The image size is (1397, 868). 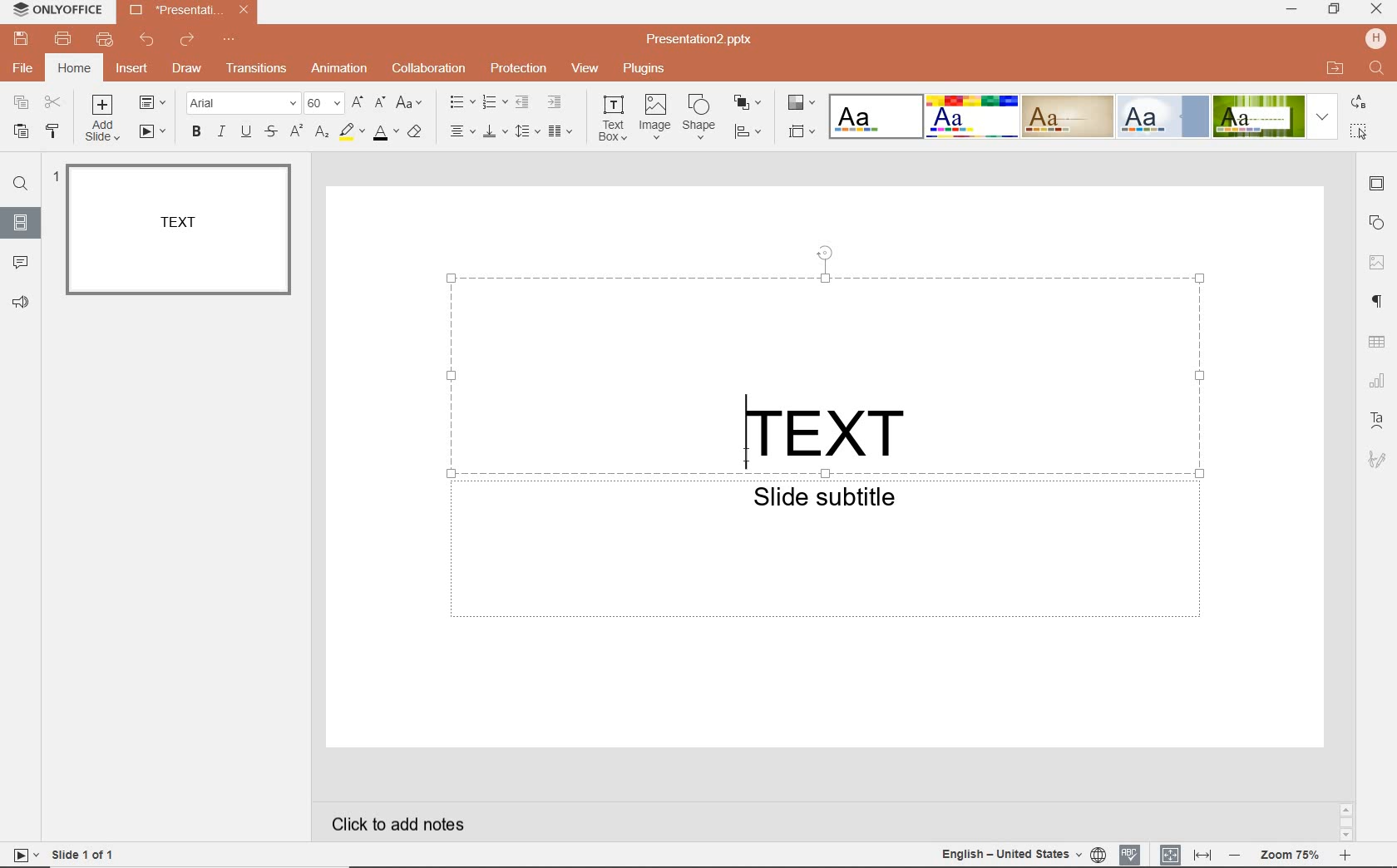 What do you see at coordinates (21, 260) in the screenshot?
I see `COMMENTS` at bounding box center [21, 260].